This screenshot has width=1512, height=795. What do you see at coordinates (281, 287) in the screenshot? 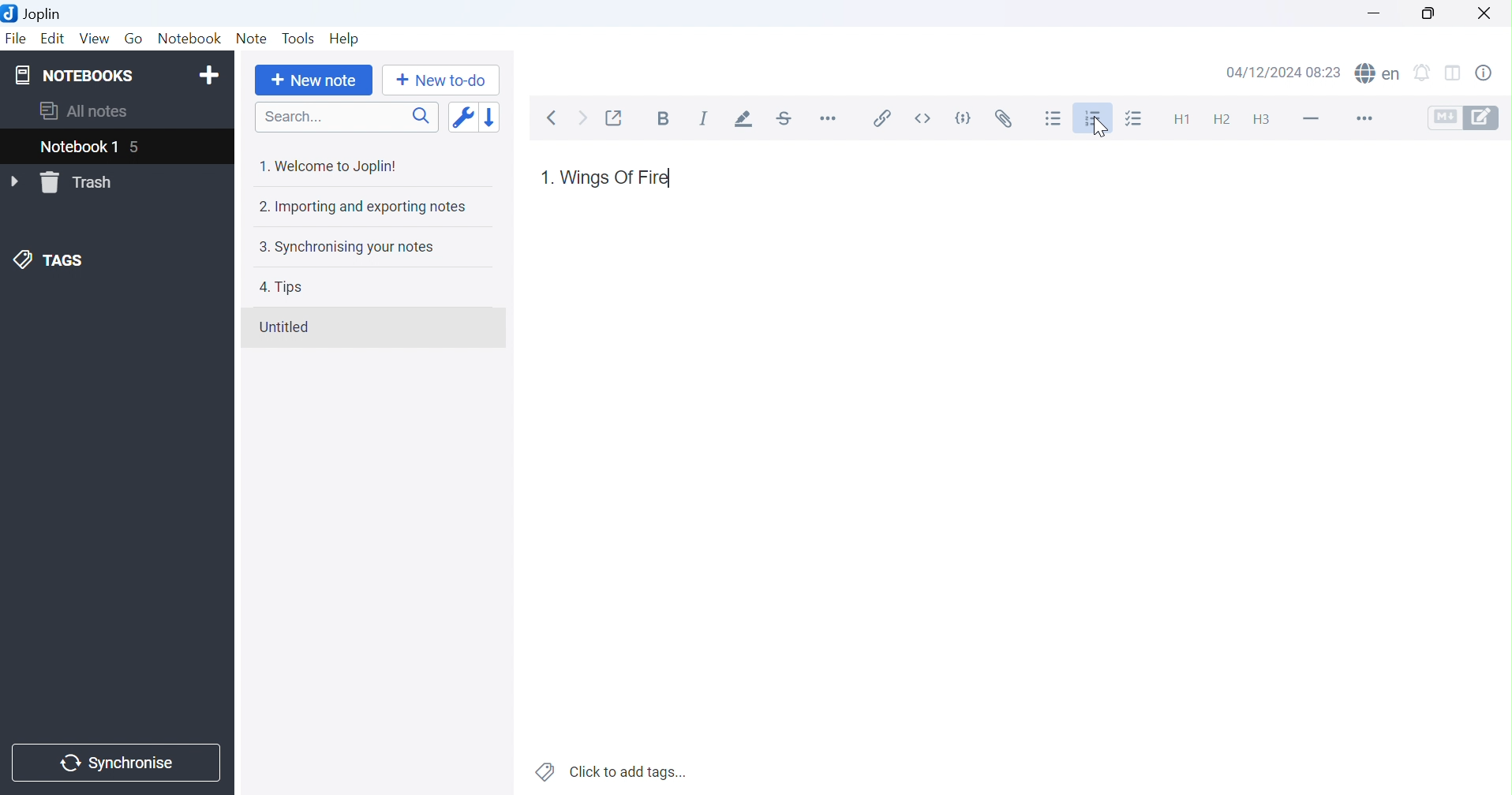
I see `4. Tips` at bounding box center [281, 287].